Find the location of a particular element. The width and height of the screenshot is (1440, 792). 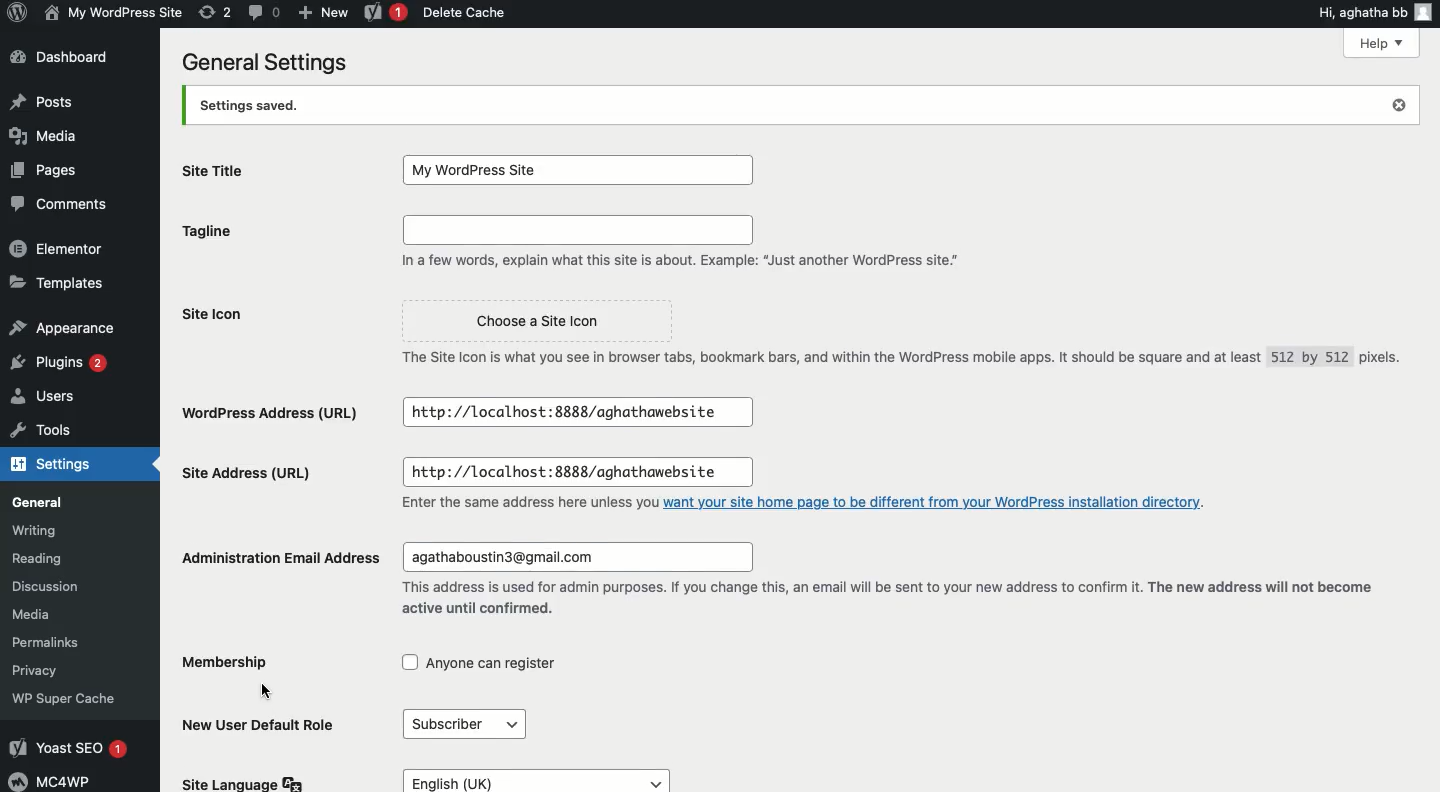

Administration email address is located at coordinates (278, 554).